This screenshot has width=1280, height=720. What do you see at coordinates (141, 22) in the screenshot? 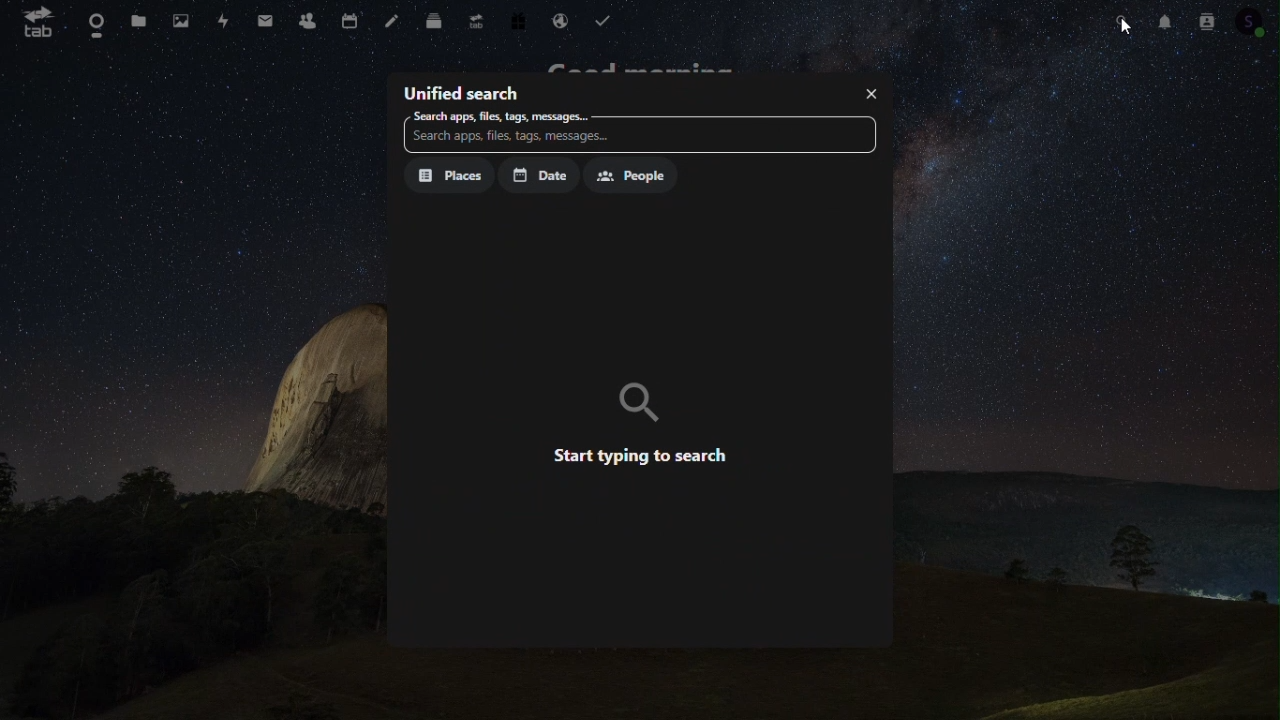
I see `Files` at bounding box center [141, 22].